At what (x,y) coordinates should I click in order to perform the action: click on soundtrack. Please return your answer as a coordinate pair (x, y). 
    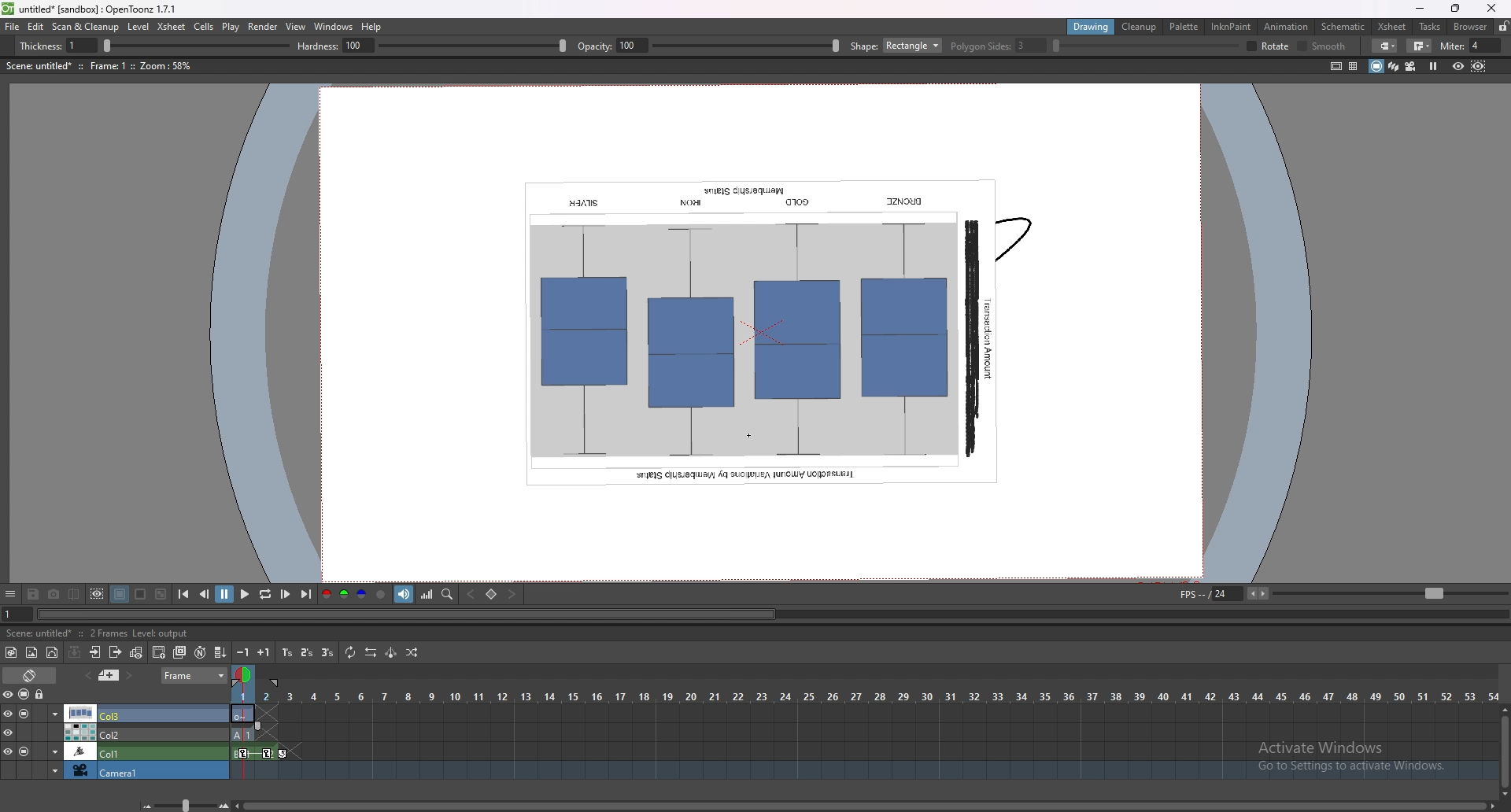
    Looking at the image, I should click on (405, 593).